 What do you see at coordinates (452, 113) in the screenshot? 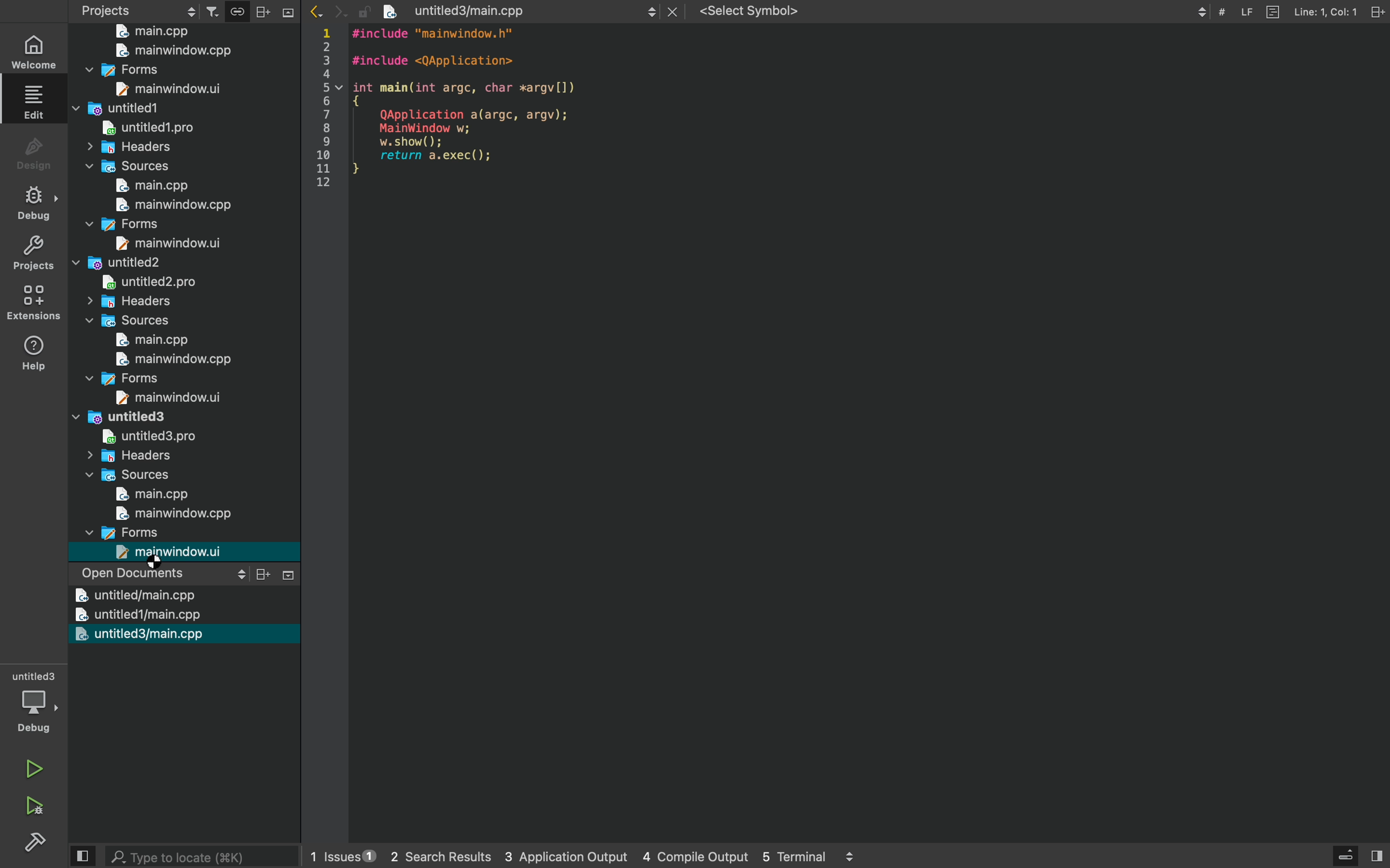
I see `code` at bounding box center [452, 113].